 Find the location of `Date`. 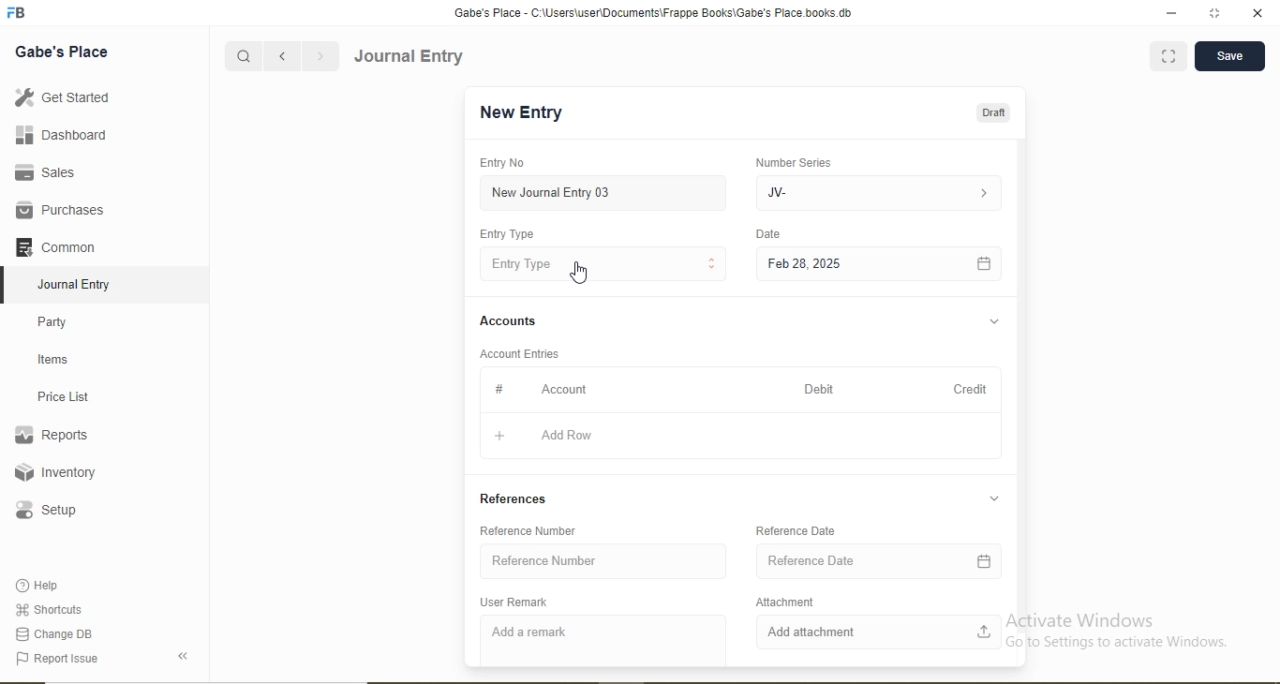

Date is located at coordinates (767, 233).